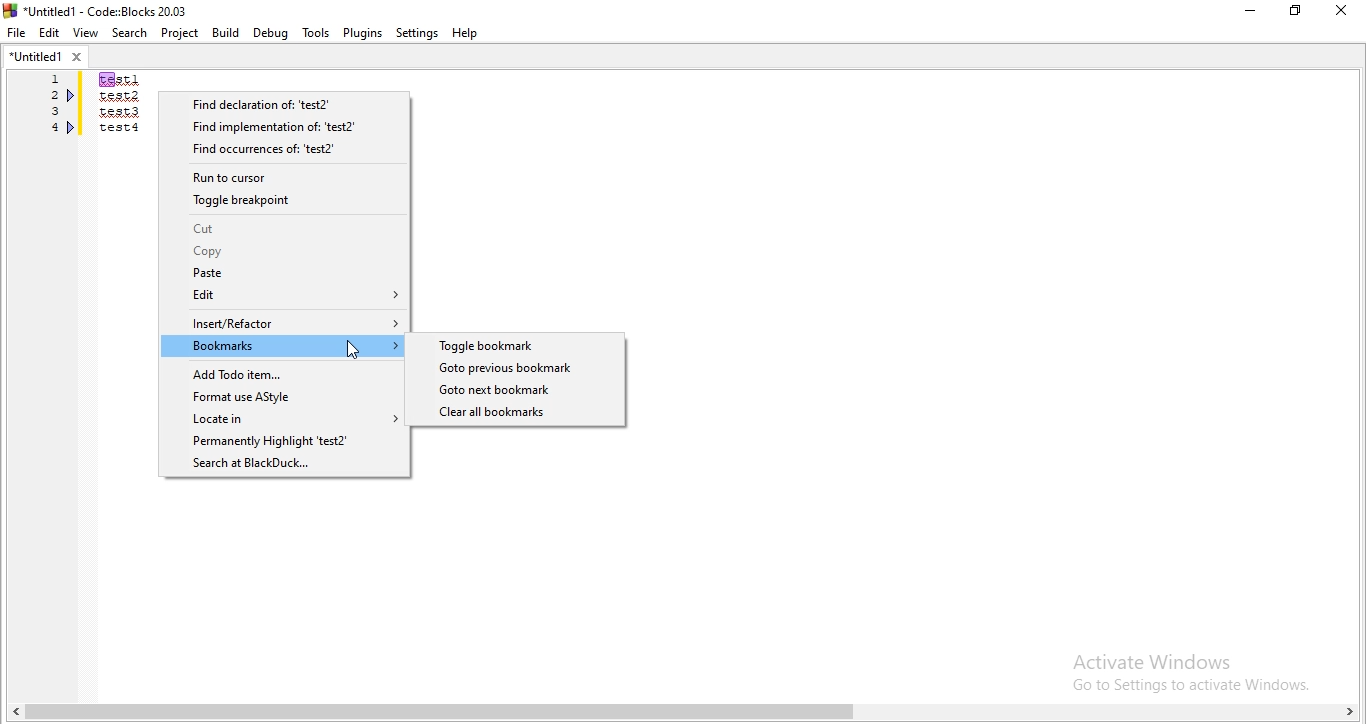  What do you see at coordinates (284, 204) in the screenshot?
I see `Toggle breakpoint` at bounding box center [284, 204].